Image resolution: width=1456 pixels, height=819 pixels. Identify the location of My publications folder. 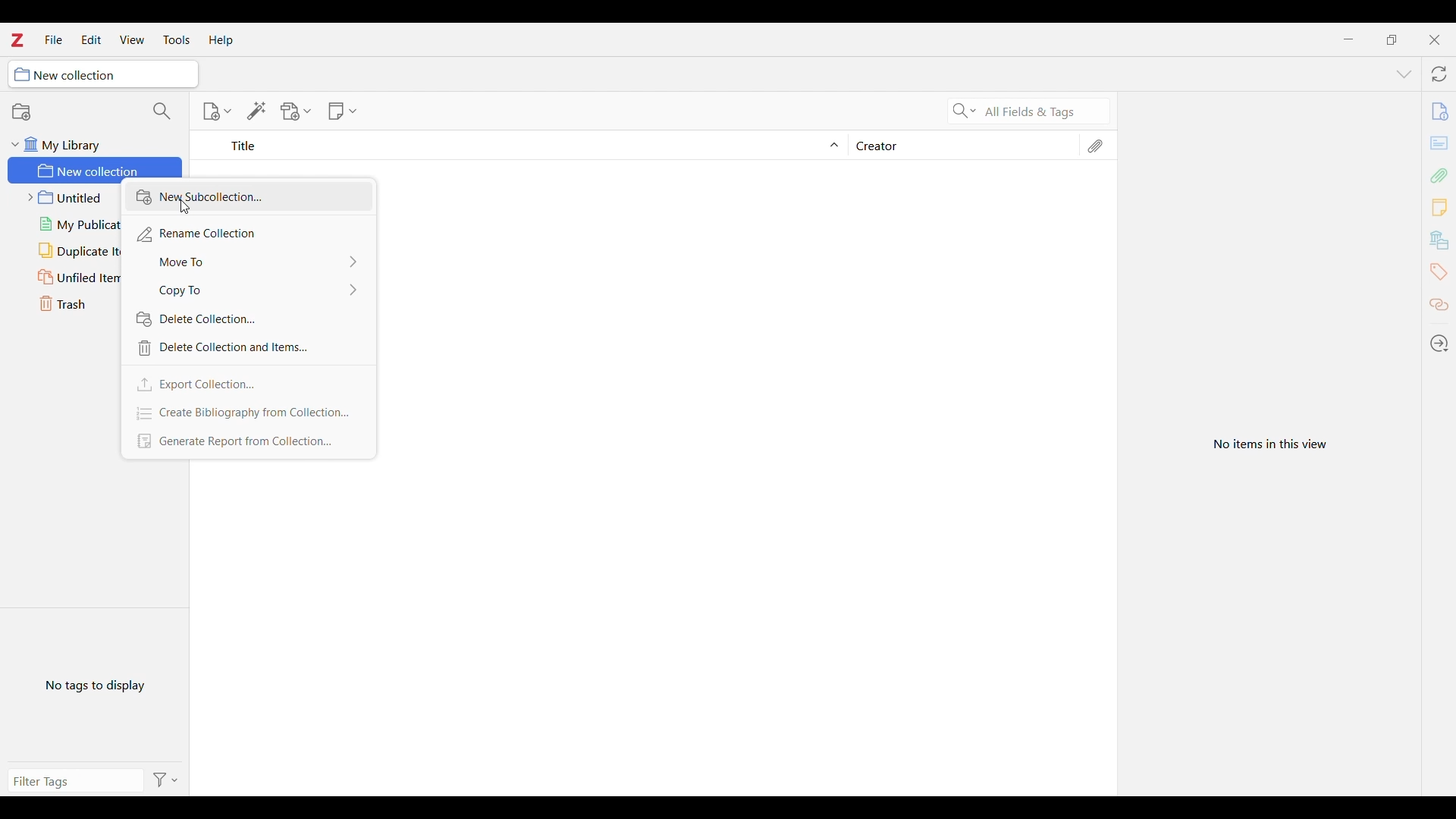
(64, 225).